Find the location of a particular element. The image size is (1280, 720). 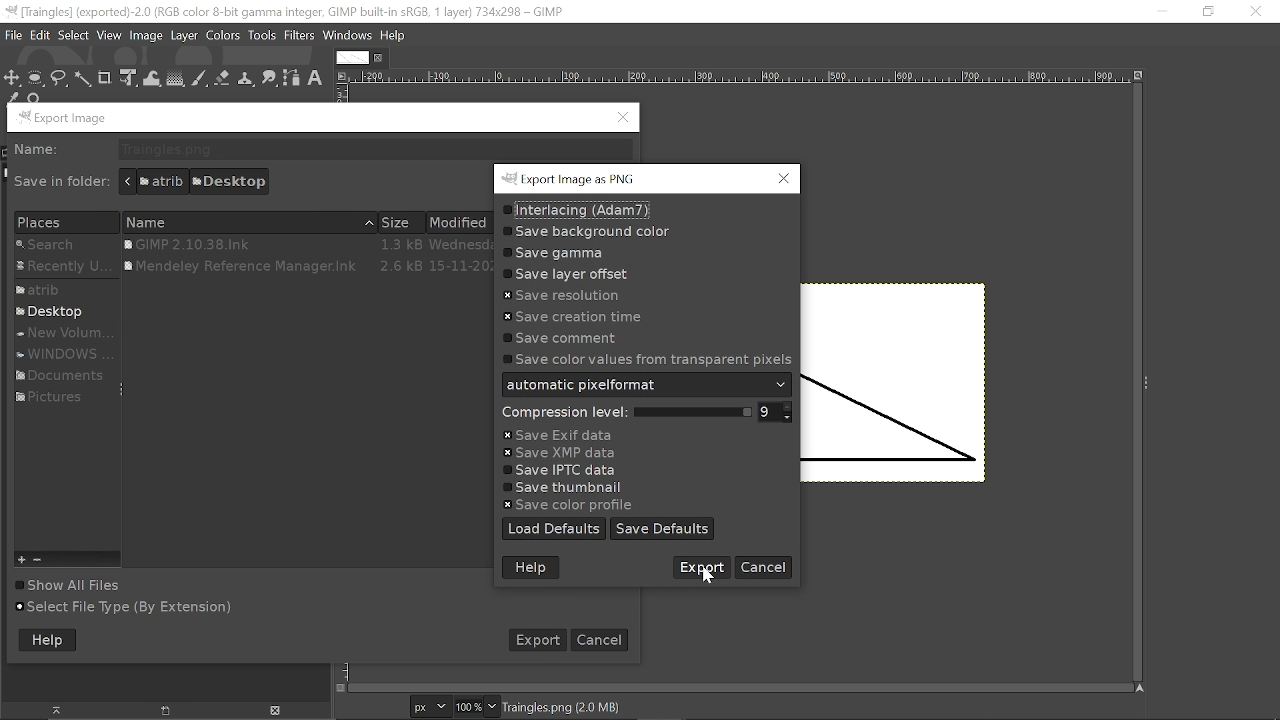

Help is located at coordinates (48, 642).